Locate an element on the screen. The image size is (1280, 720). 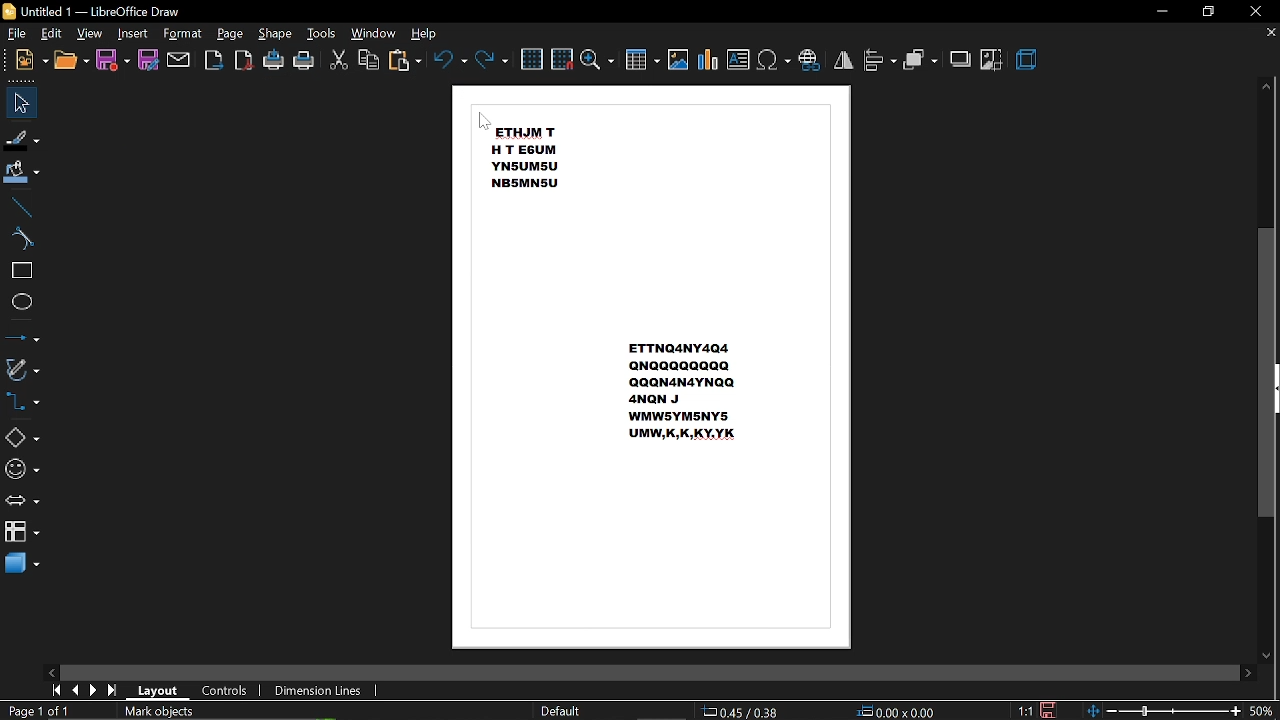
format is located at coordinates (183, 34).